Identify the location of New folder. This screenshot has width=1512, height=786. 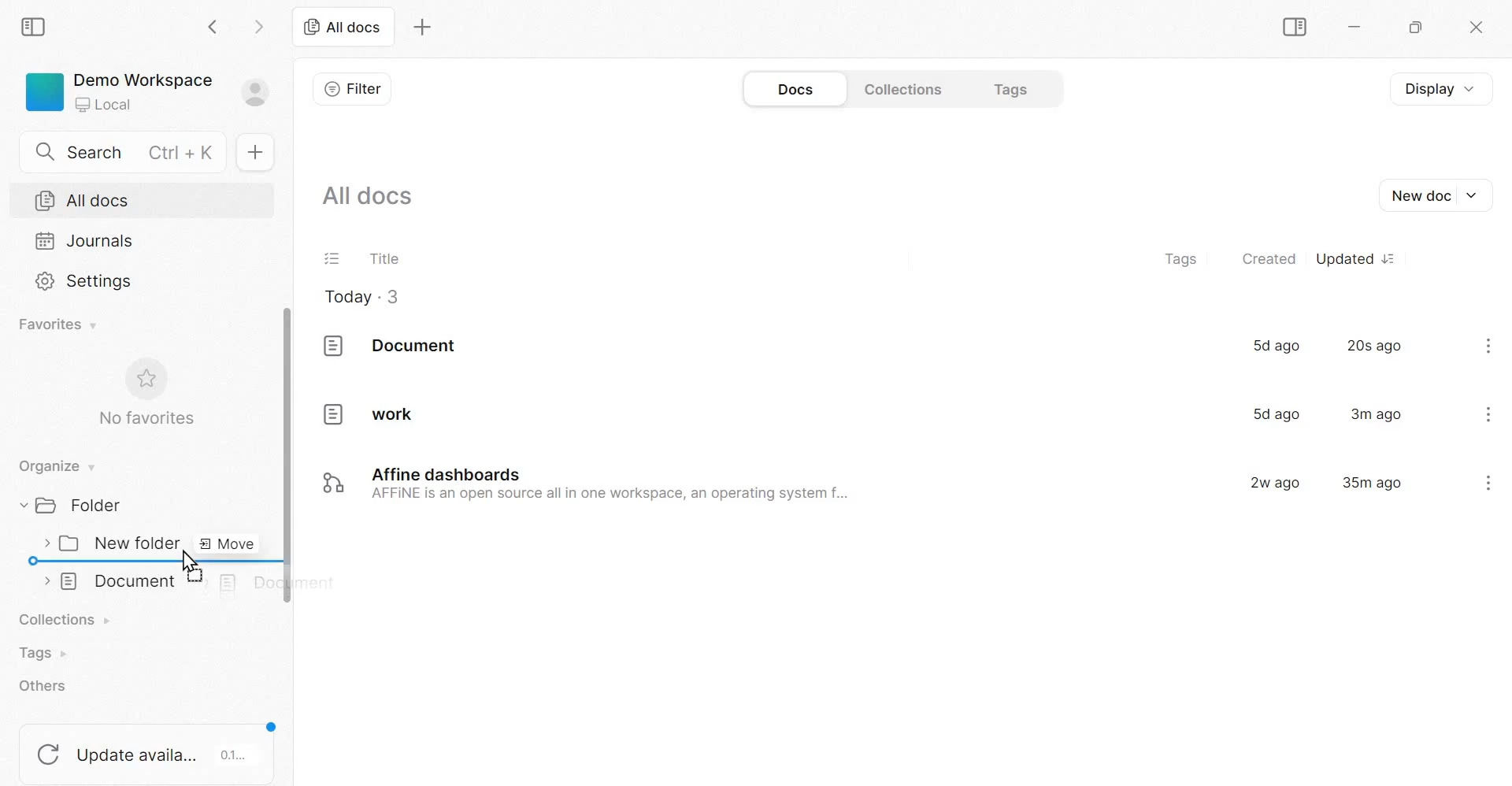
(120, 543).